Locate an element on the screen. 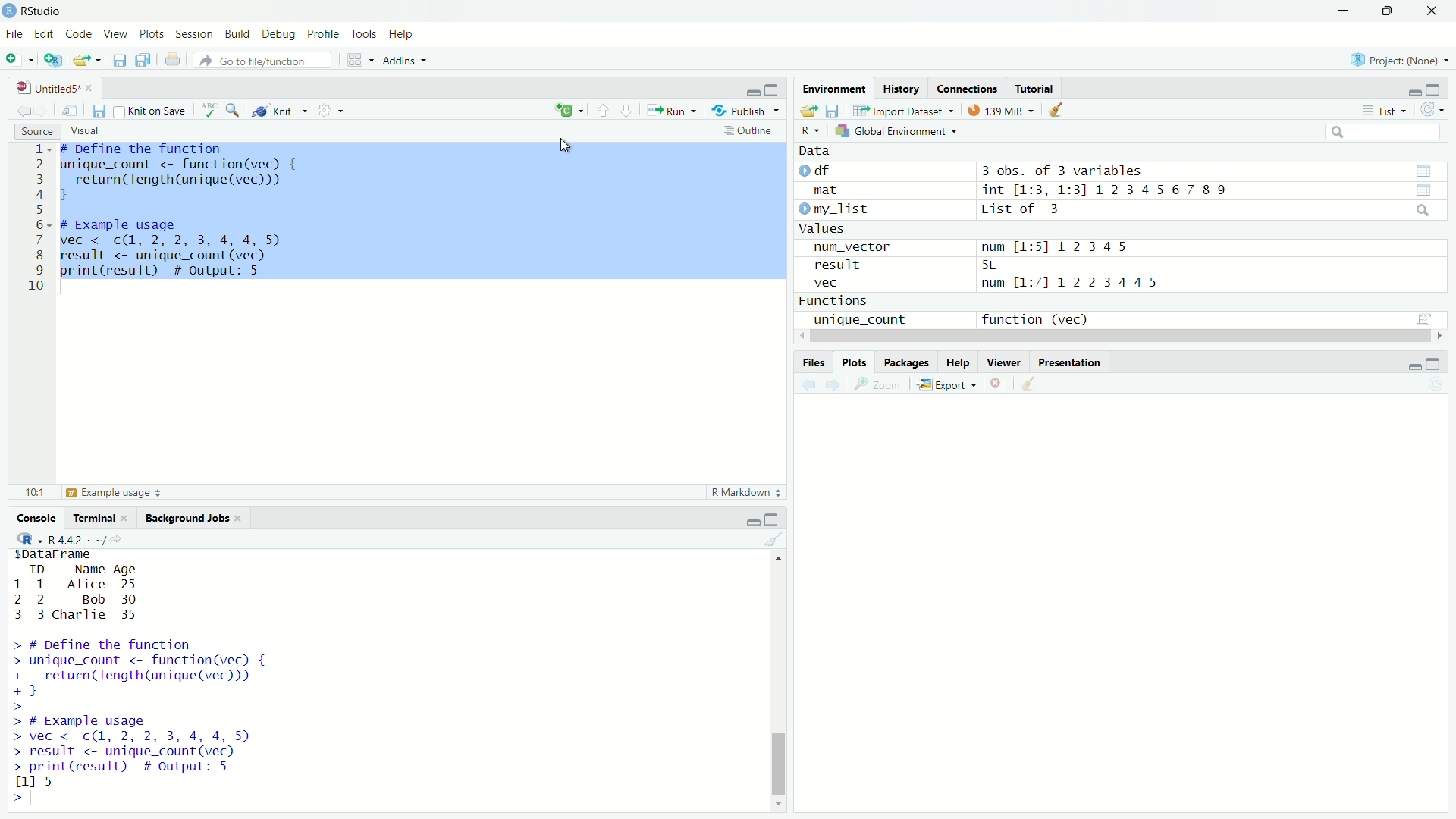  R 4.4.2 . ~/ is located at coordinates (80, 539).